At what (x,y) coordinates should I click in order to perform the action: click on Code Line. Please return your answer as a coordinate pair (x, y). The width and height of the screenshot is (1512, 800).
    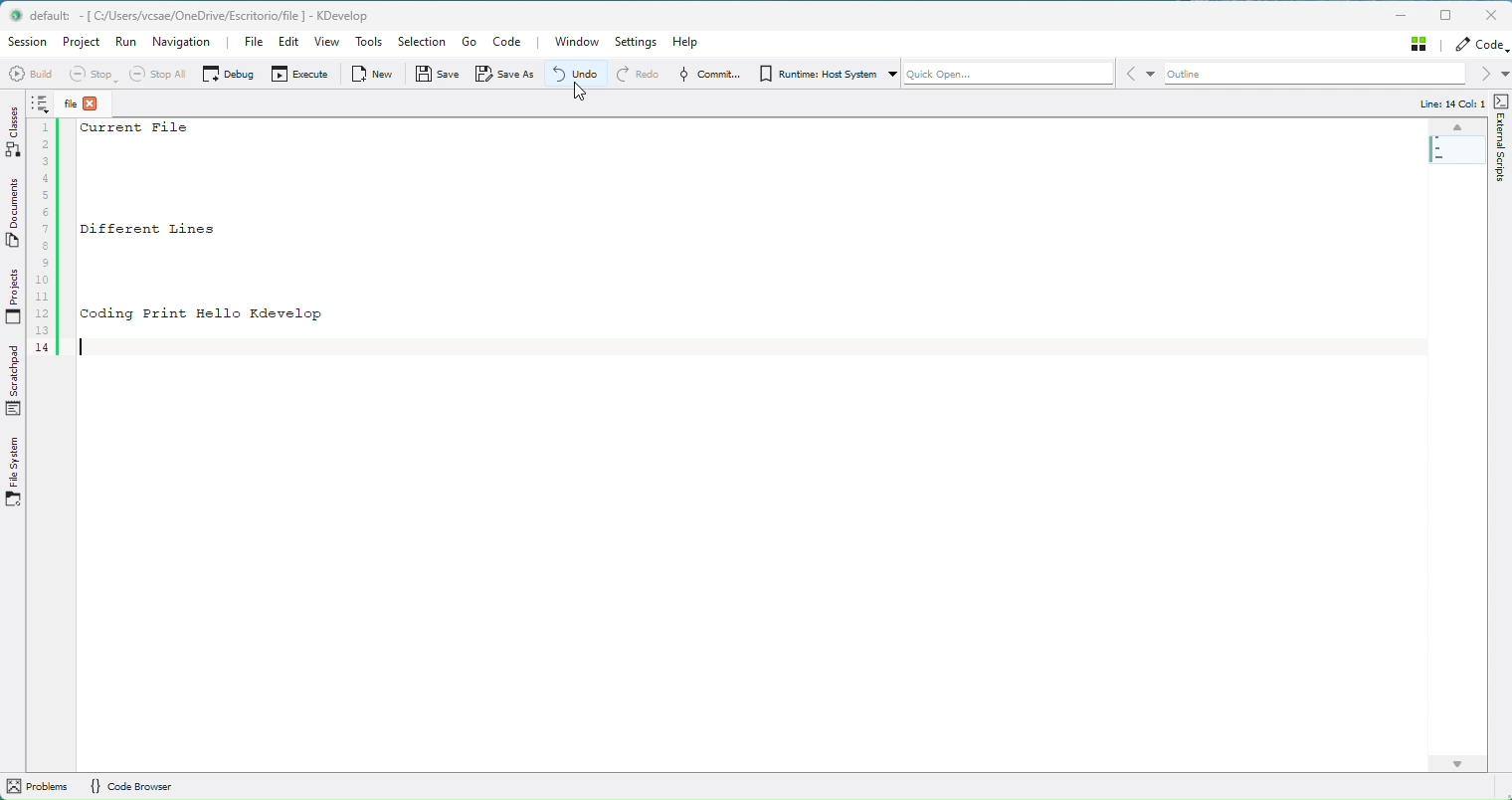
    Looking at the image, I should click on (44, 230).